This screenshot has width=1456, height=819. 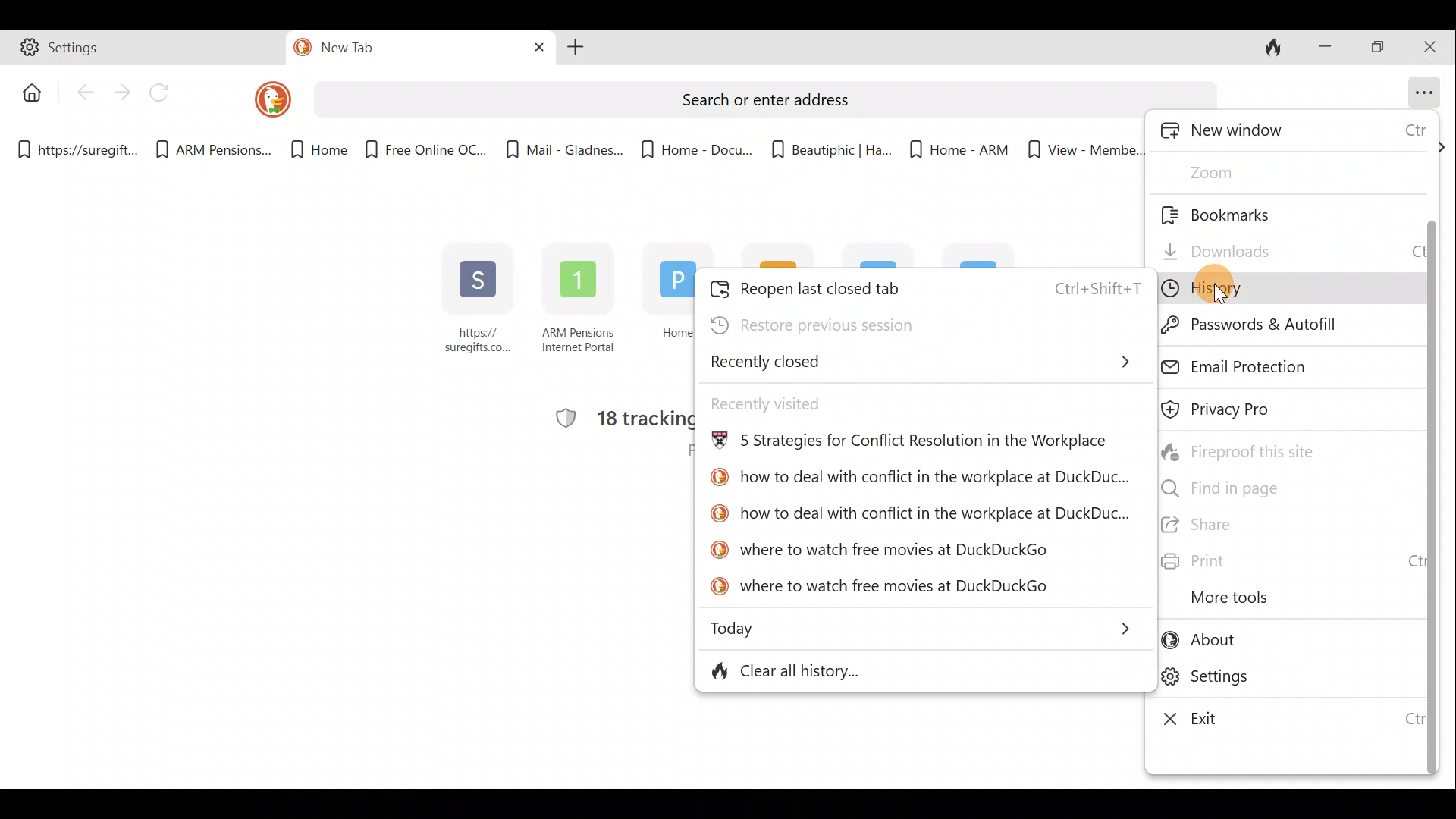 What do you see at coordinates (883, 547) in the screenshot?
I see `where to watch free movies at DuckDuckGo` at bounding box center [883, 547].